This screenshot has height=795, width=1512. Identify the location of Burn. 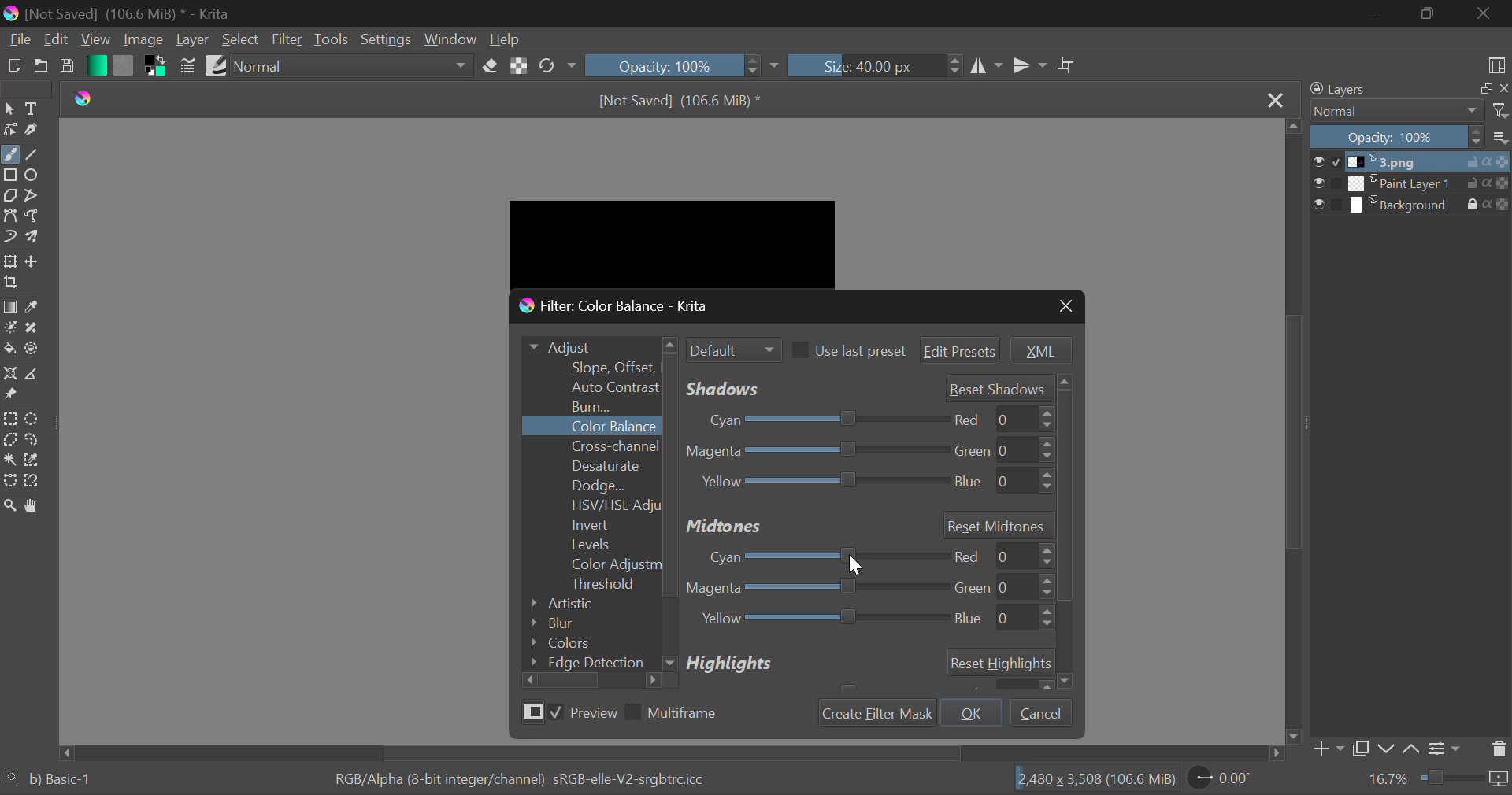
(594, 405).